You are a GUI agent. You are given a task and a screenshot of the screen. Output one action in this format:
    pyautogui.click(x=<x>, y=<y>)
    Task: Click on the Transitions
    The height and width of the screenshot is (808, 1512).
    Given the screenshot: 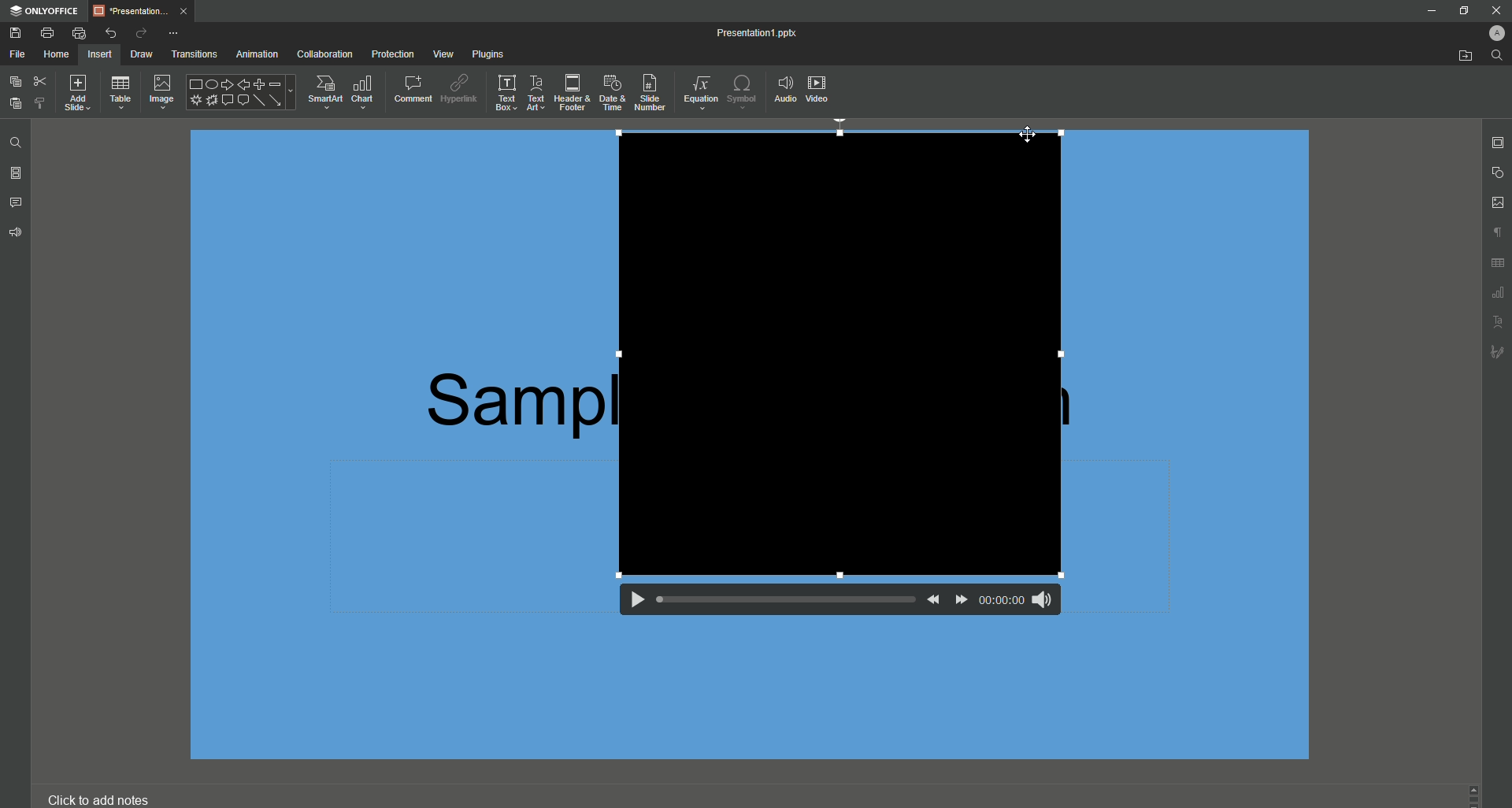 What is the action you would take?
    pyautogui.click(x=193, y=55)
    